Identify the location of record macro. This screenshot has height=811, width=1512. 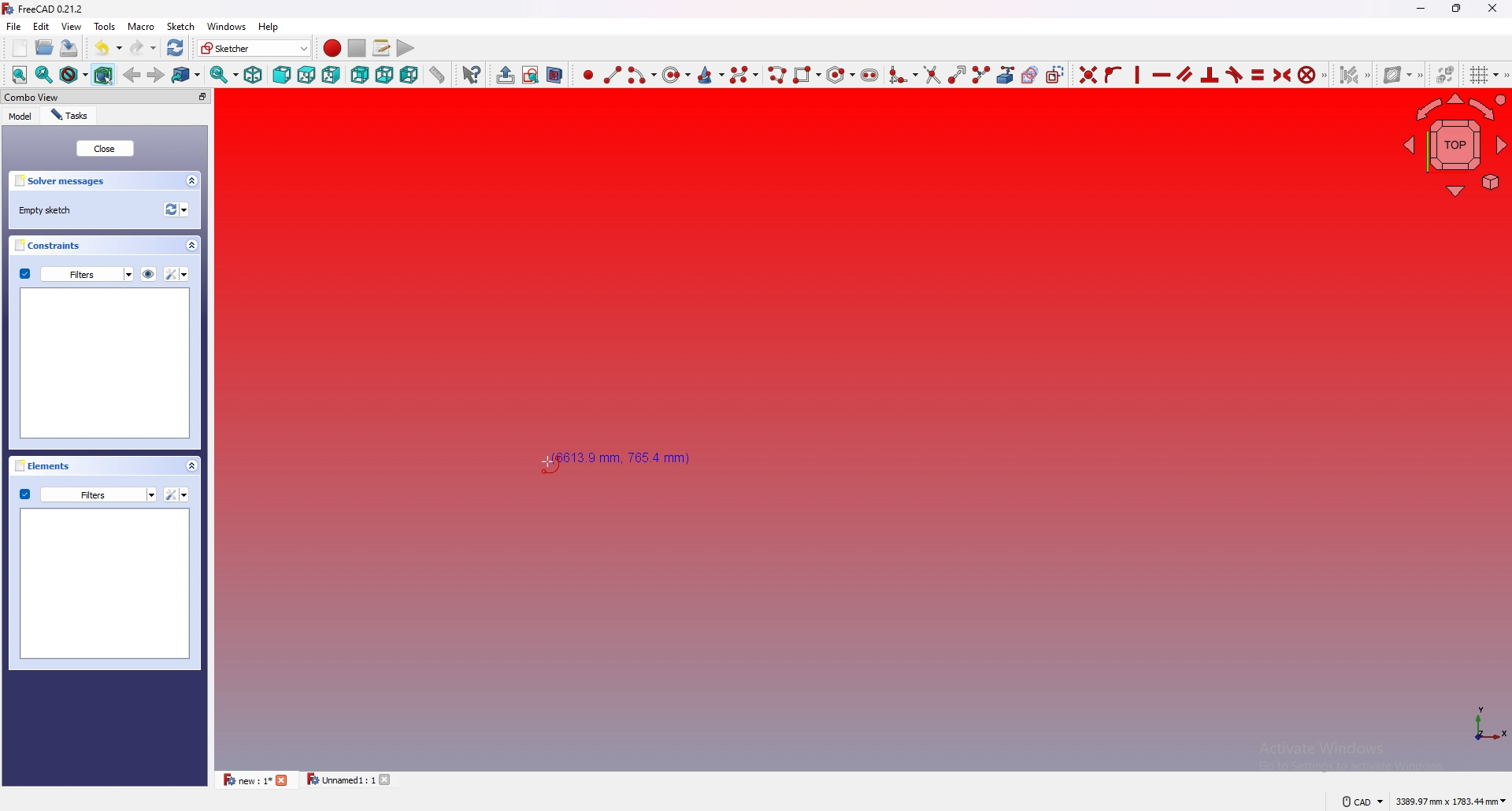
(332, 49).